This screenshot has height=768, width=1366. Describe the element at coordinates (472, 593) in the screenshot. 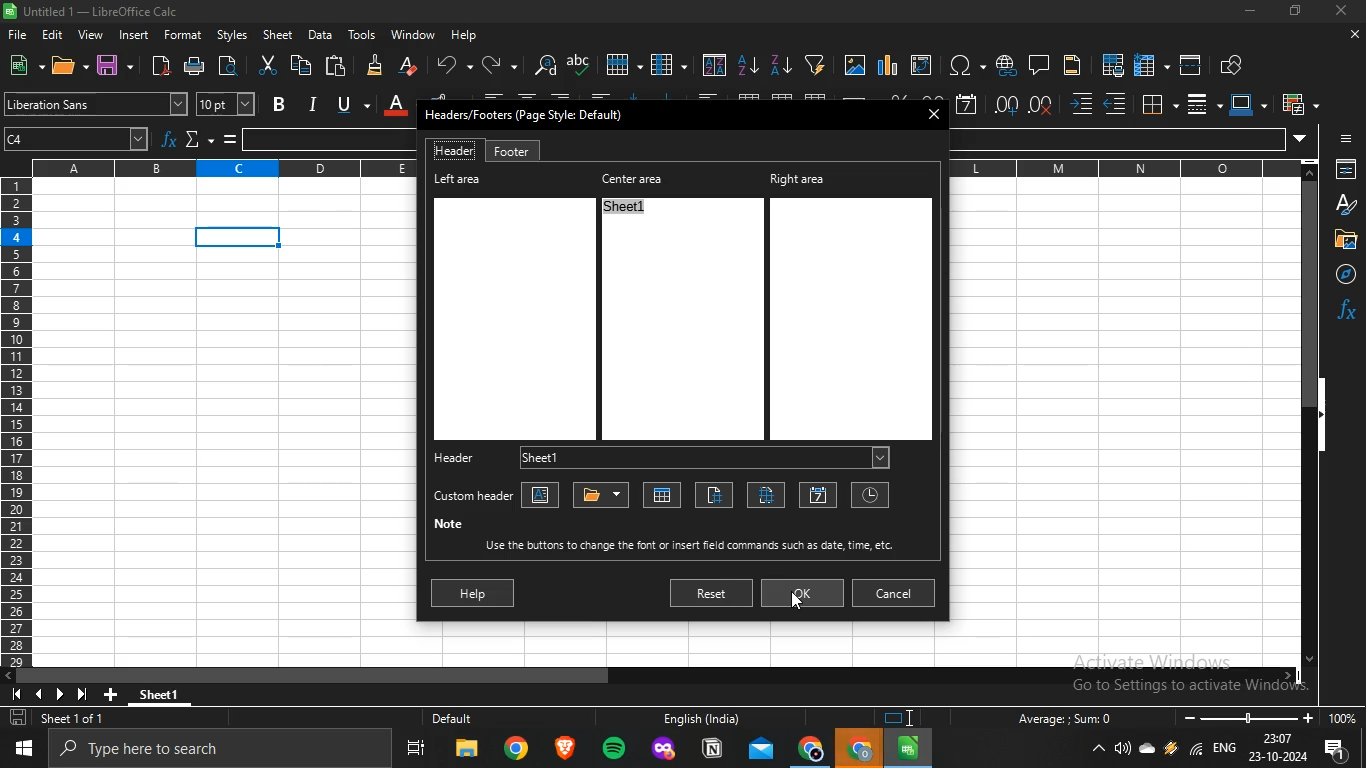

I see `help` at that location.